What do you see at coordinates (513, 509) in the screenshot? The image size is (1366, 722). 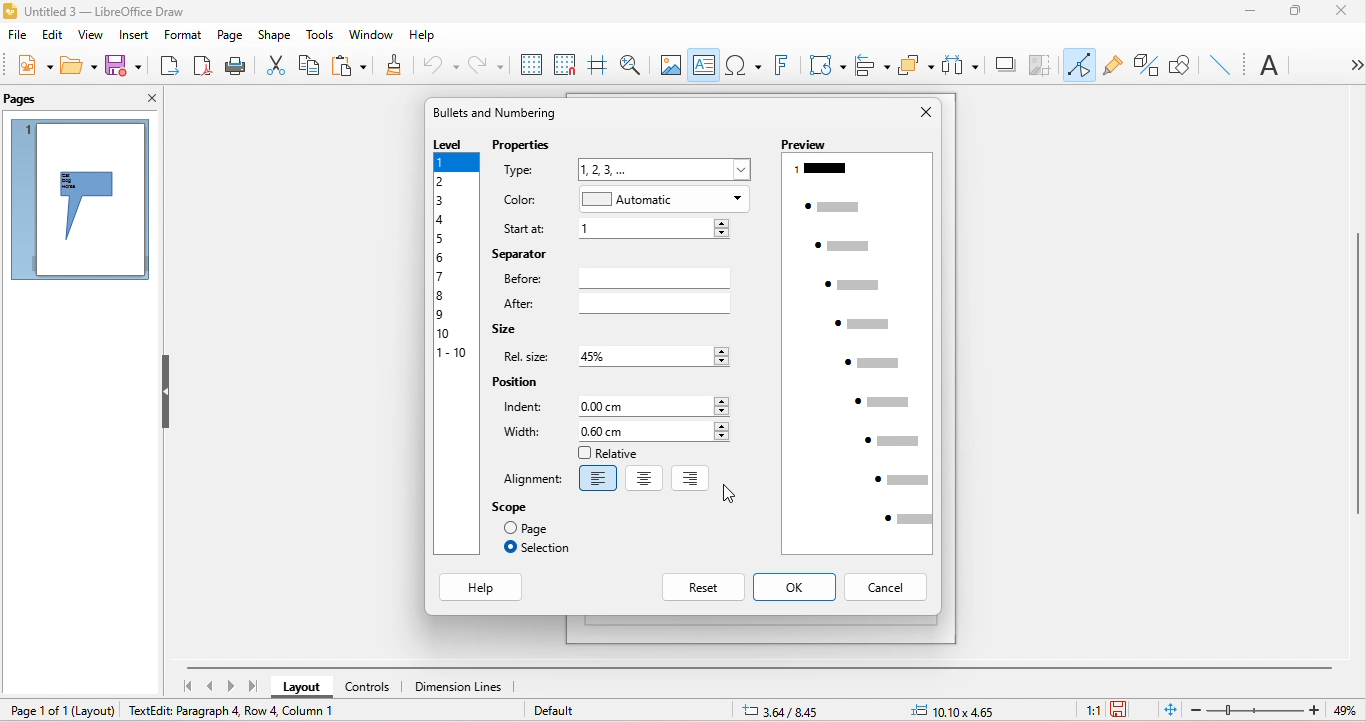 I see `scope` at bounding box center [513, 509].